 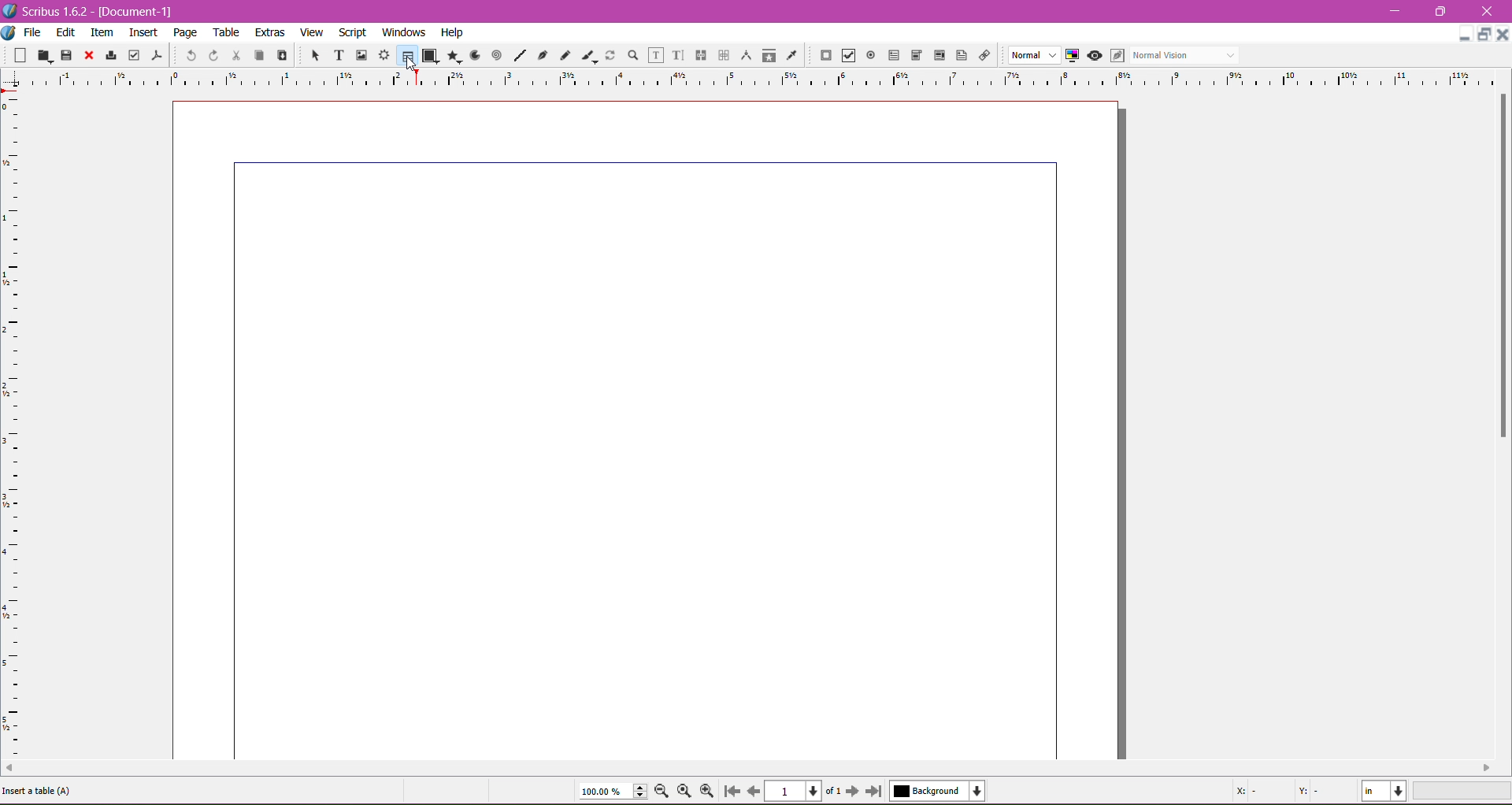 I want to click on Cut, so click(x=233, y=54).